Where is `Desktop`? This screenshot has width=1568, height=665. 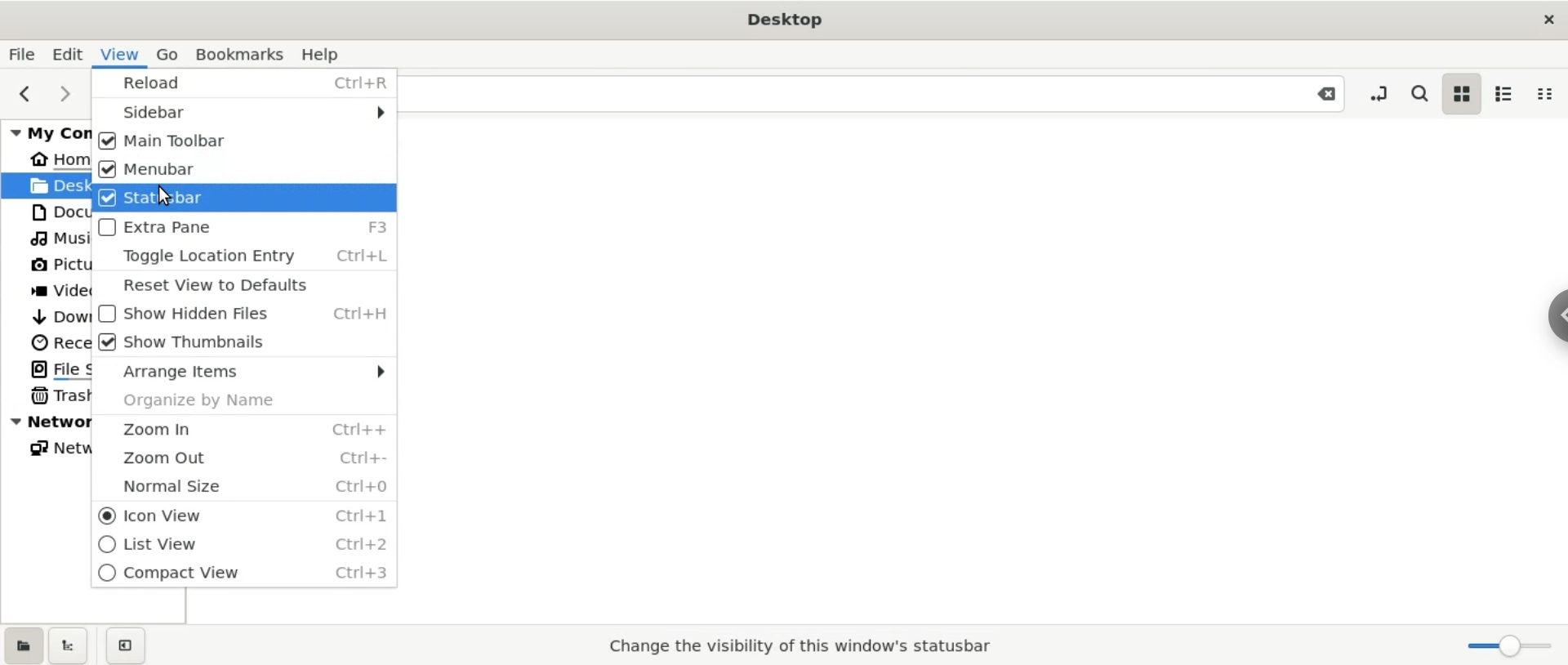 Desktop is located at coordinates (787, 19).